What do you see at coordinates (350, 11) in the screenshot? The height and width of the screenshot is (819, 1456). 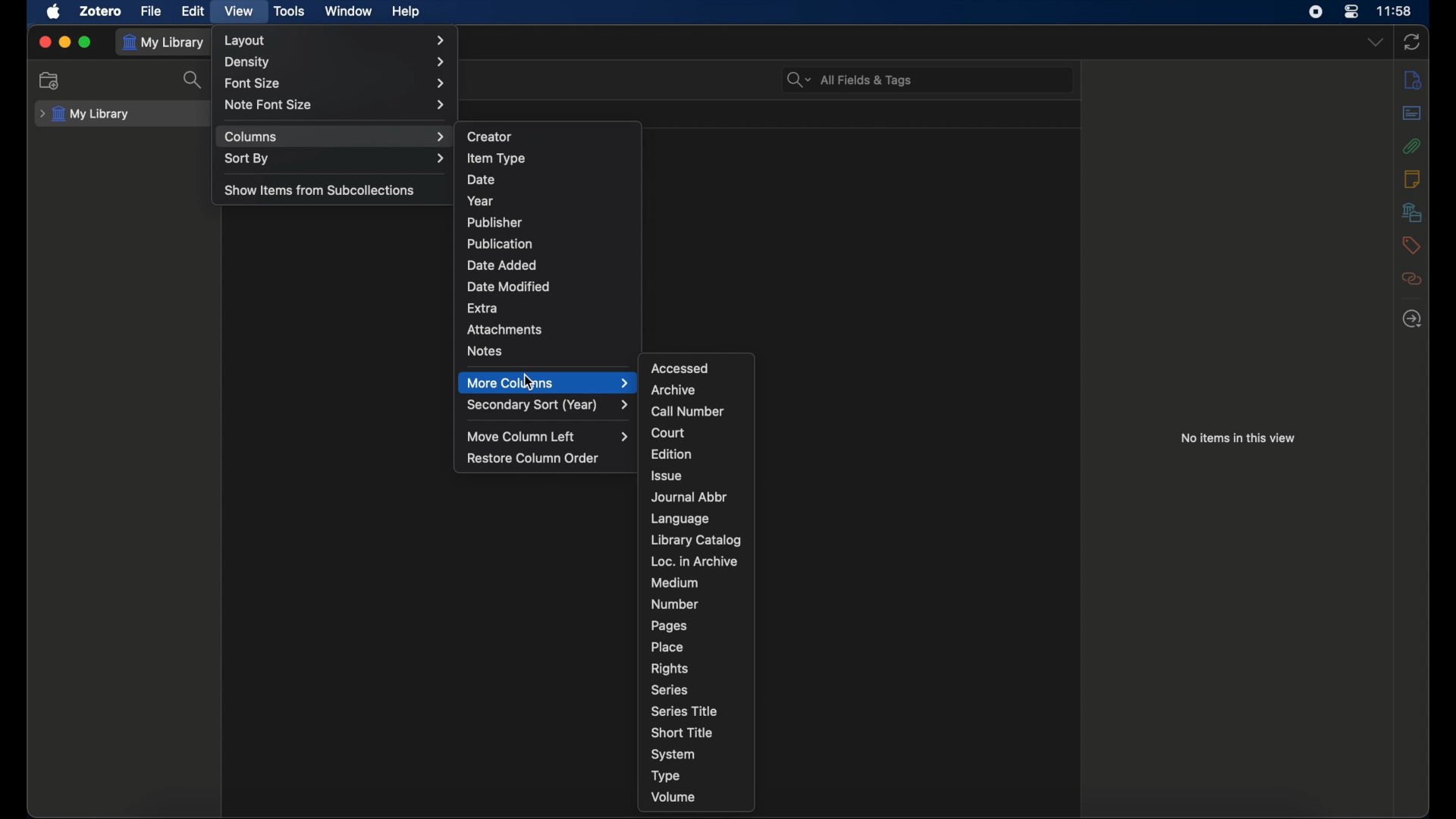 I see `window` at bounding box center [350, 11].